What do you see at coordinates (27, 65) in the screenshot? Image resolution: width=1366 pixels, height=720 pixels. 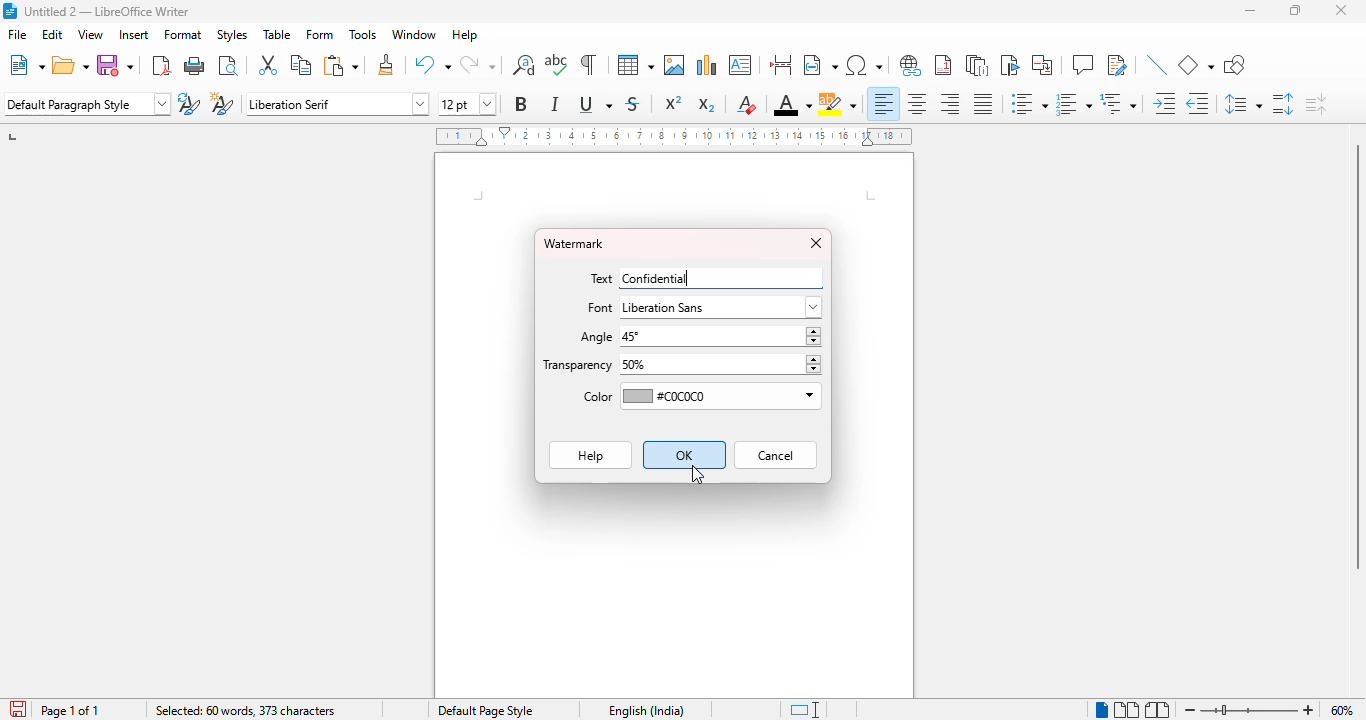 I see `new` at bounding box center [27, 65].